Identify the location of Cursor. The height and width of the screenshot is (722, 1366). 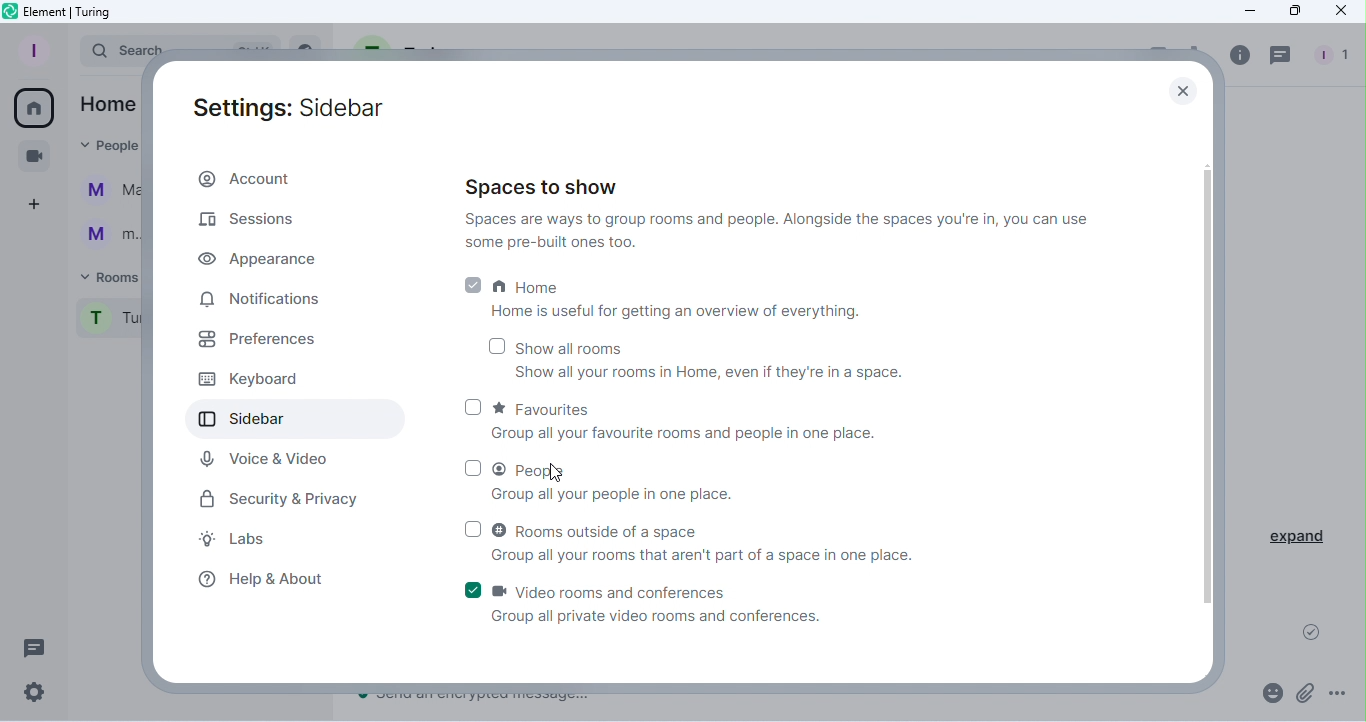
(552, 471).